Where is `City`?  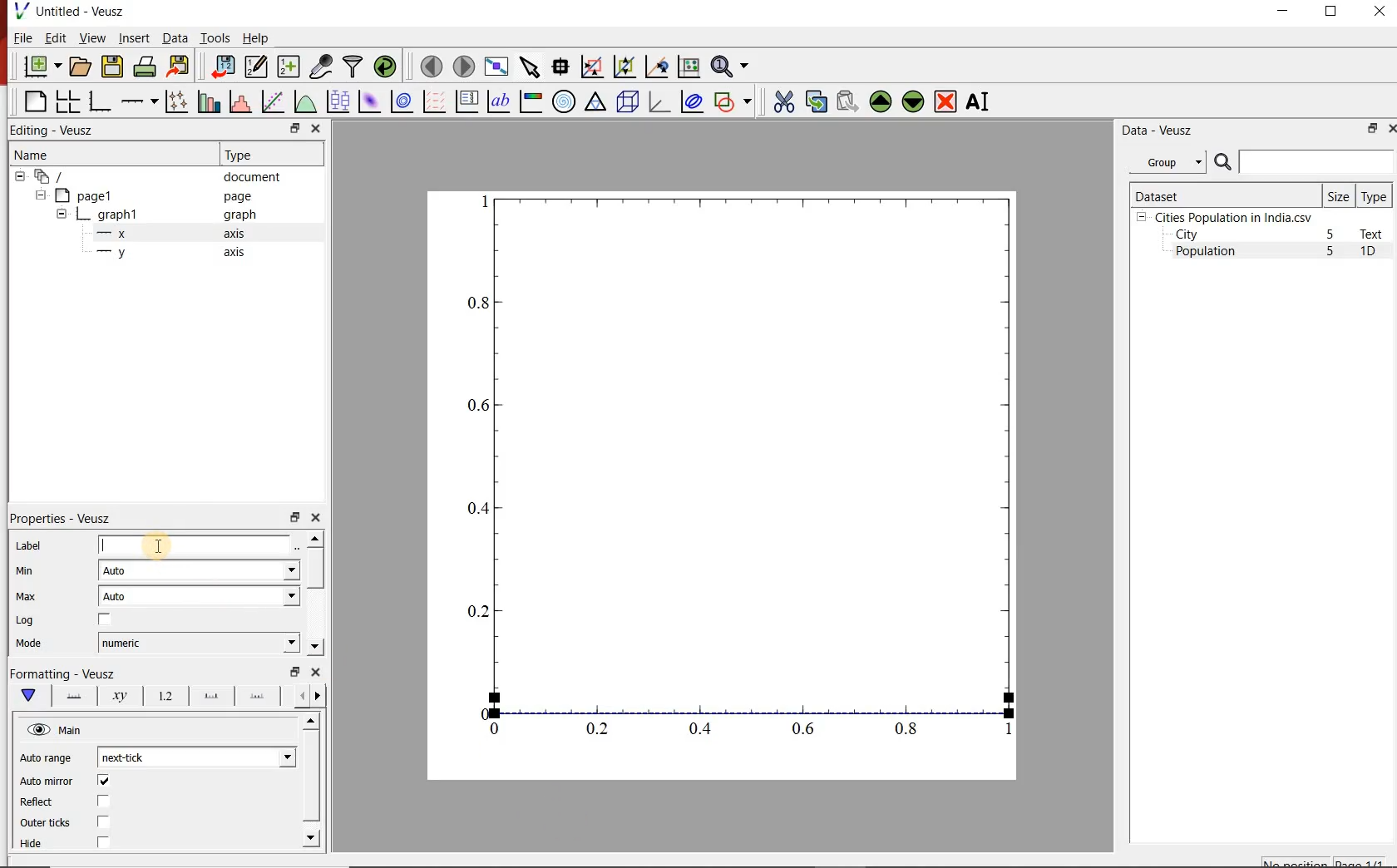 City is located at coordinates (1187, 234).